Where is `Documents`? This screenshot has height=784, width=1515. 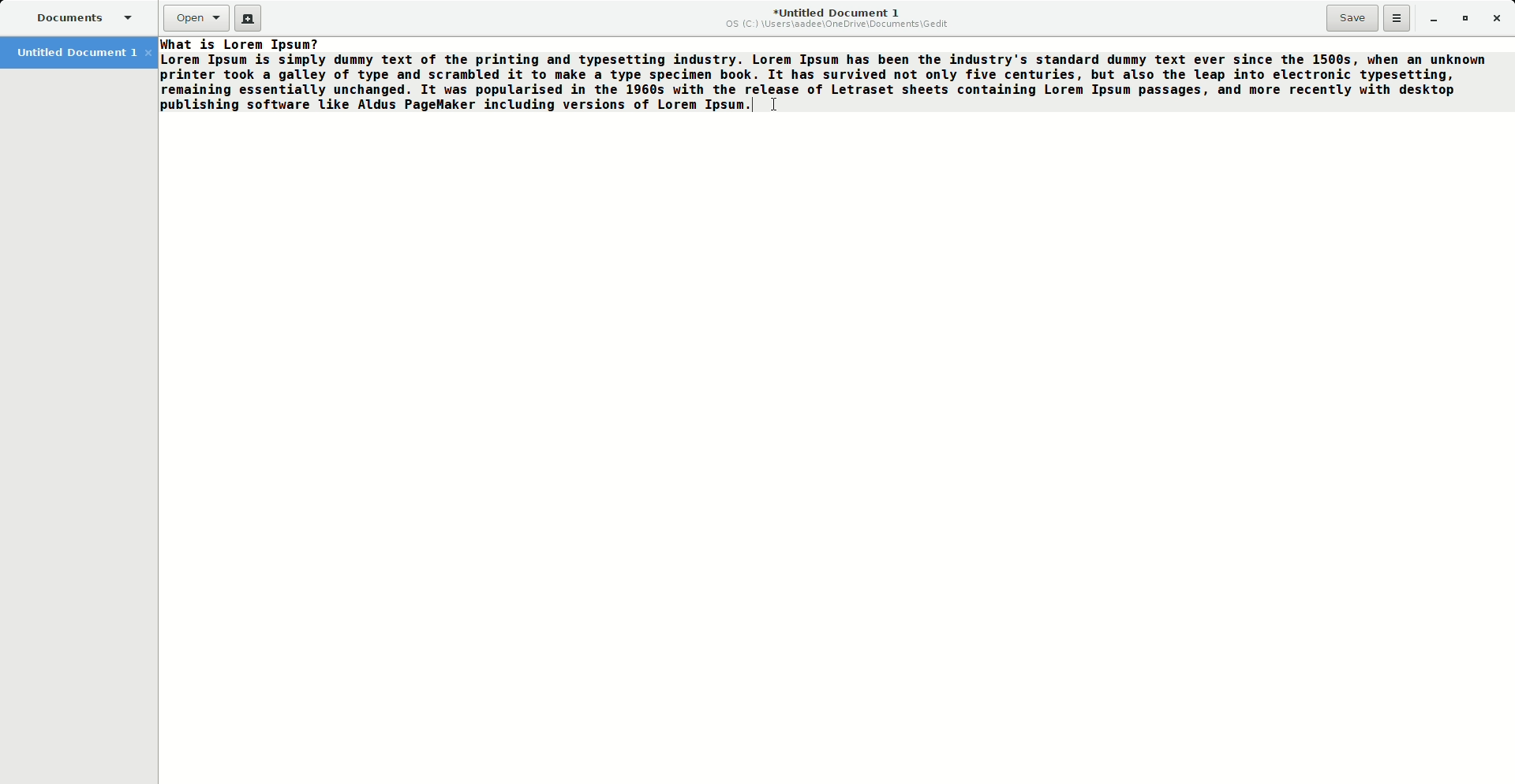 Documents is located at coordinates (82, 17).